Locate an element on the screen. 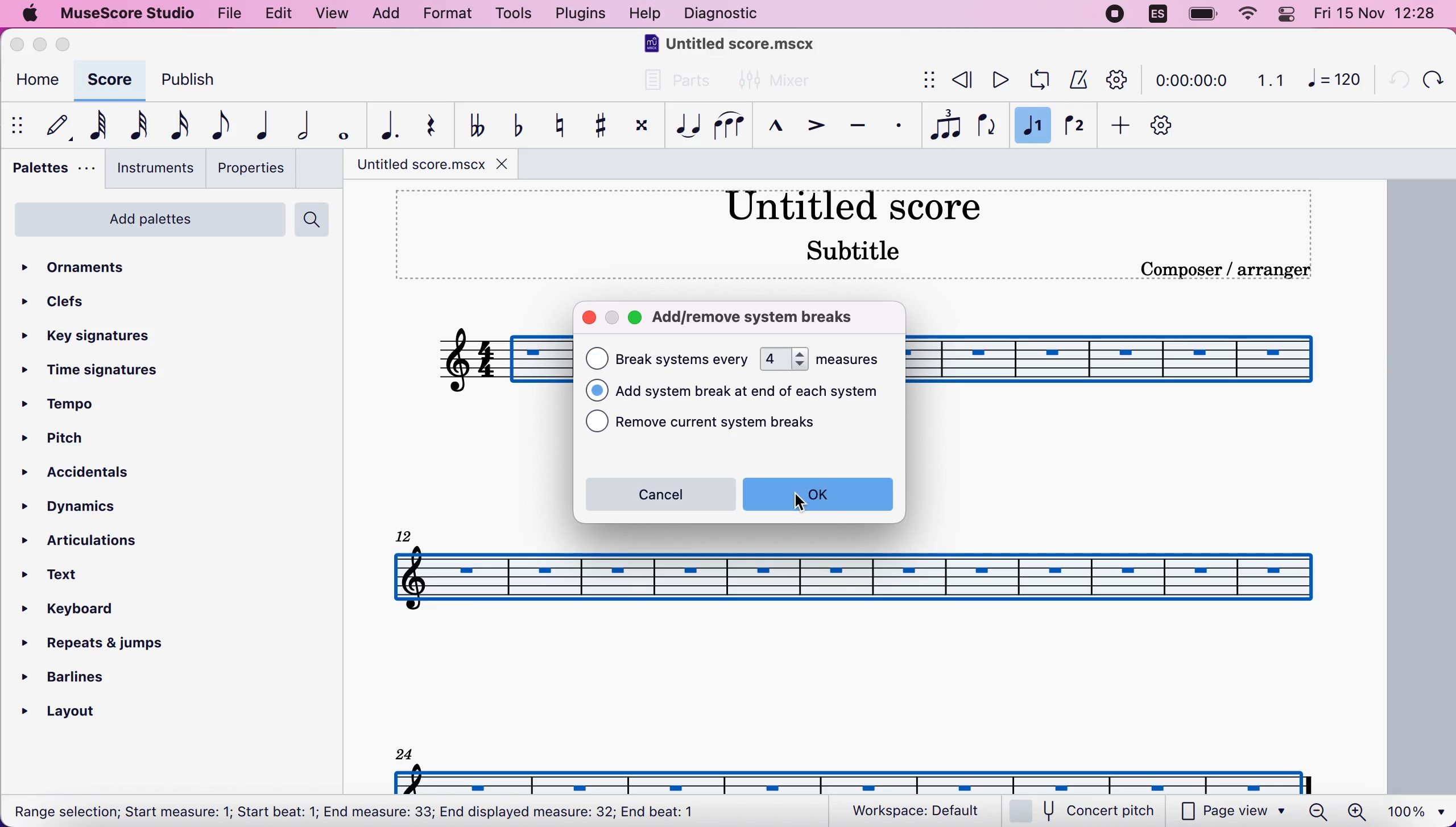 Image resolution: width=1456 pixels, height=827 pixels. play is located at coordinates (998, 80).